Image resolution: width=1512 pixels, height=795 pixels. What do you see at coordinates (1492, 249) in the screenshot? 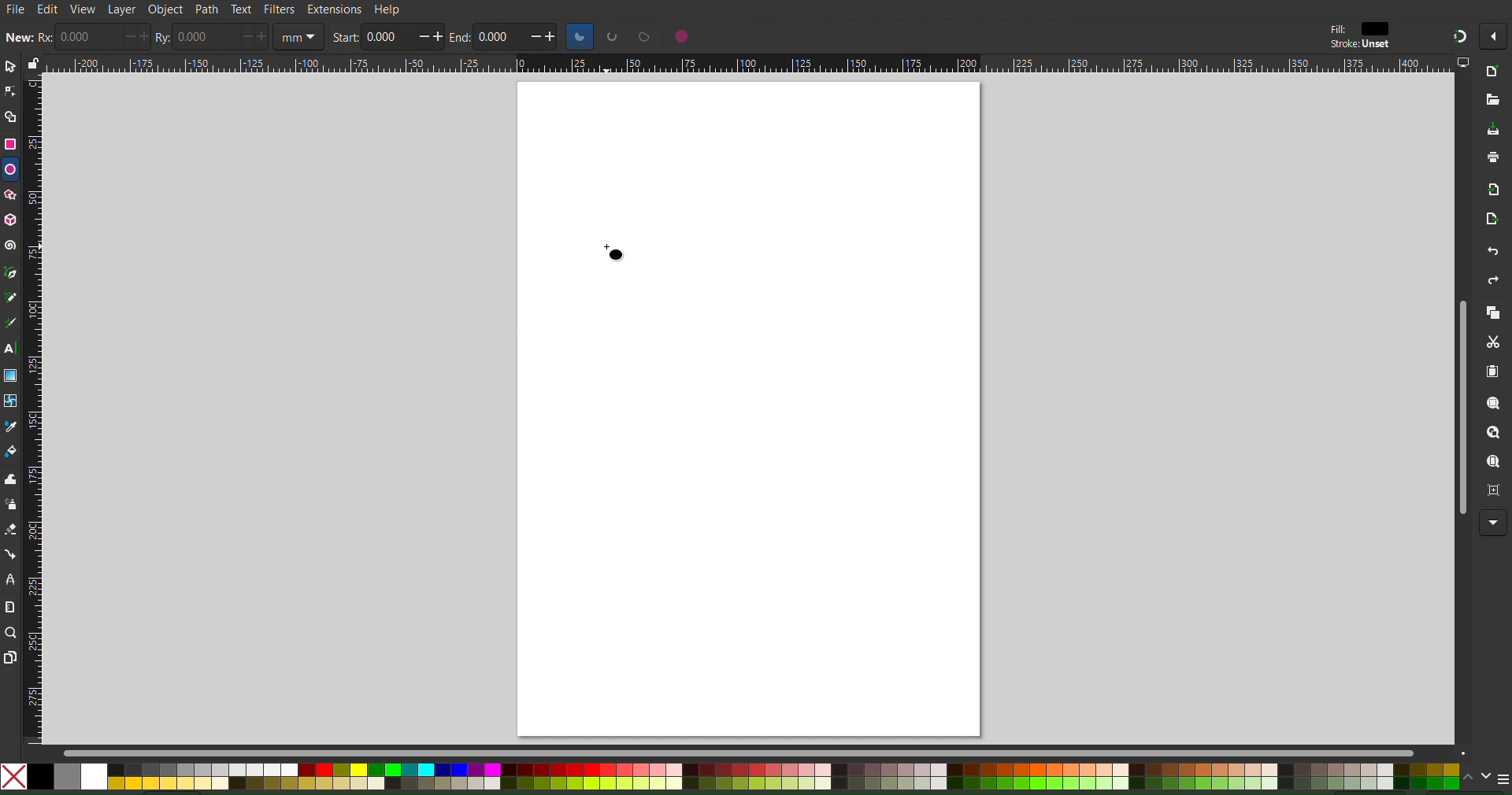
I see `Undo` at bounding box center [1492, 249].